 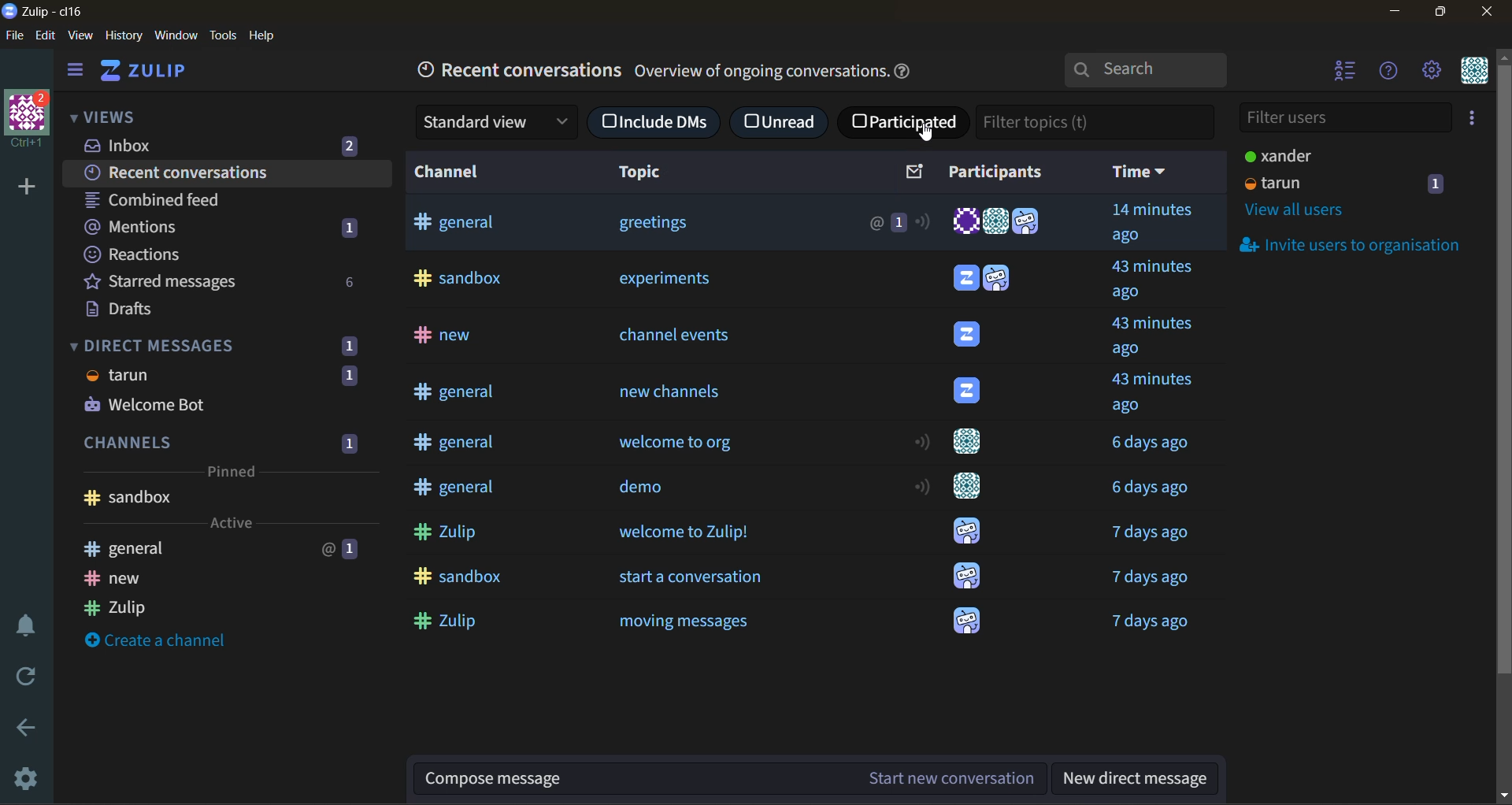 I want to click on go back, so click(x=29, y=729).